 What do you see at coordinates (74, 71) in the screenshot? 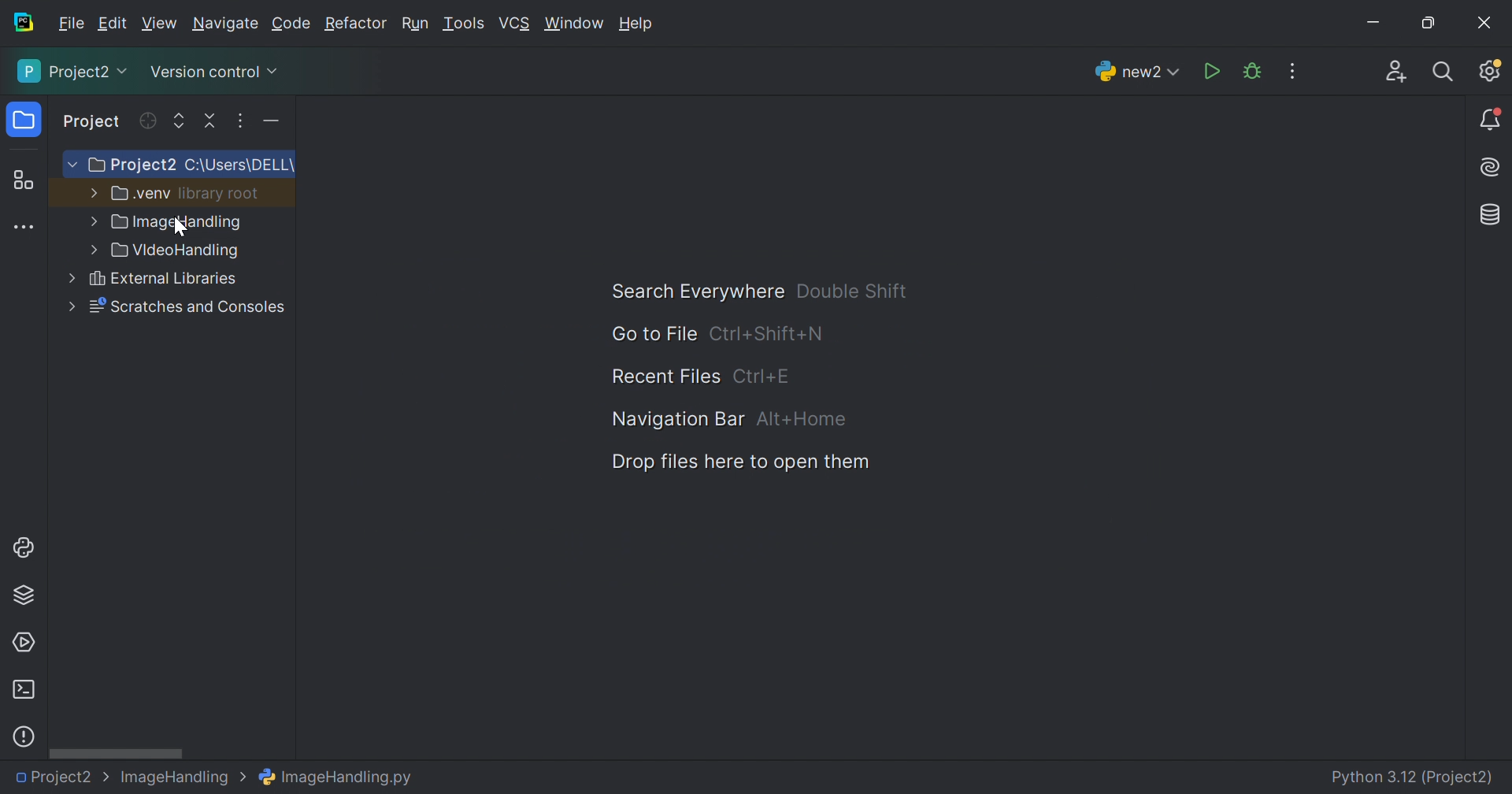
I see `Project2` at bounding box center [74, 71].